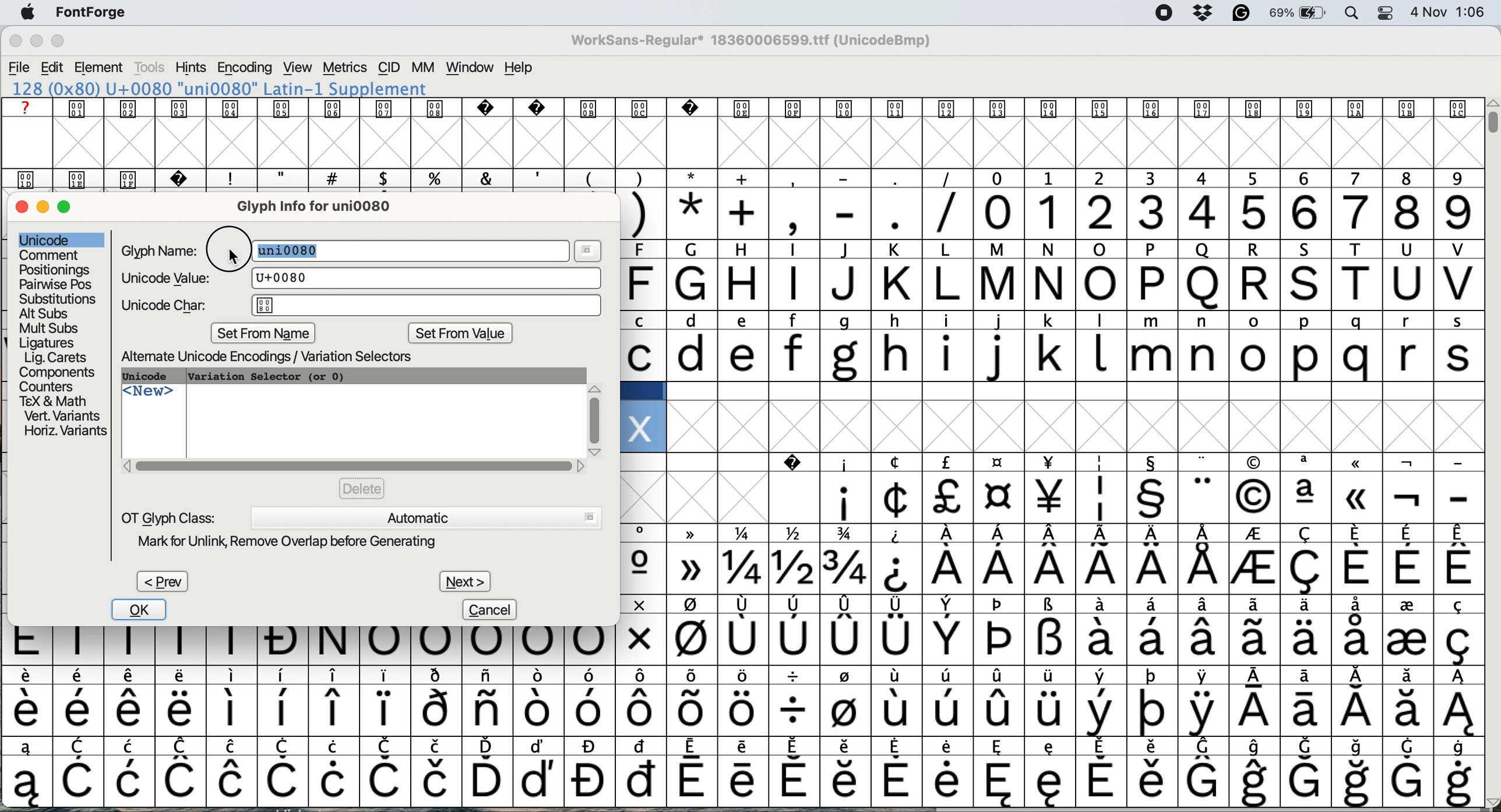  What do you see at coordinates (46, 312) in the screenshot?
I see `alt subs` at bounding box center [46, 312].